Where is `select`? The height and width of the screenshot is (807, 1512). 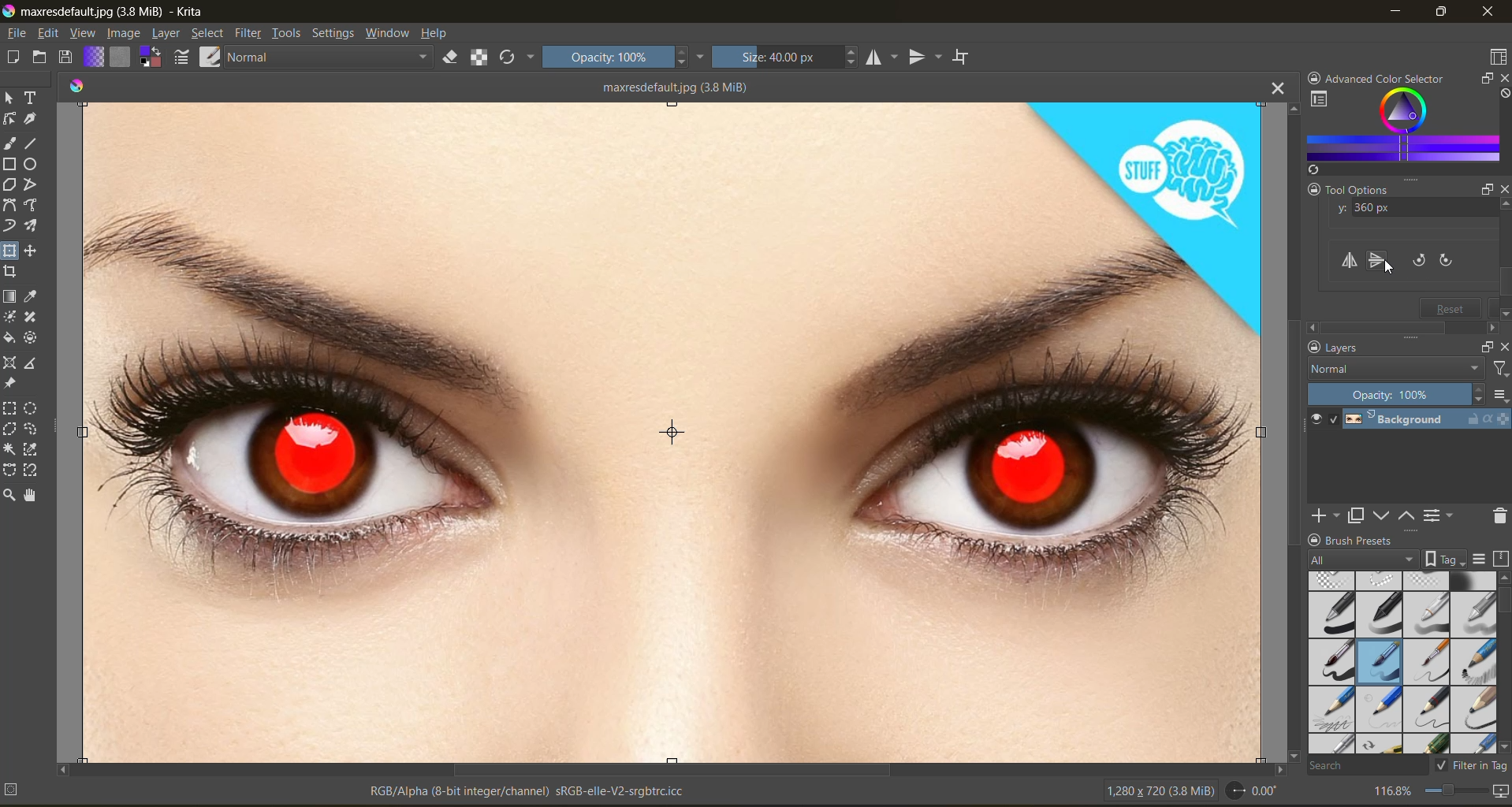 select is located at coordinates (209, 33).